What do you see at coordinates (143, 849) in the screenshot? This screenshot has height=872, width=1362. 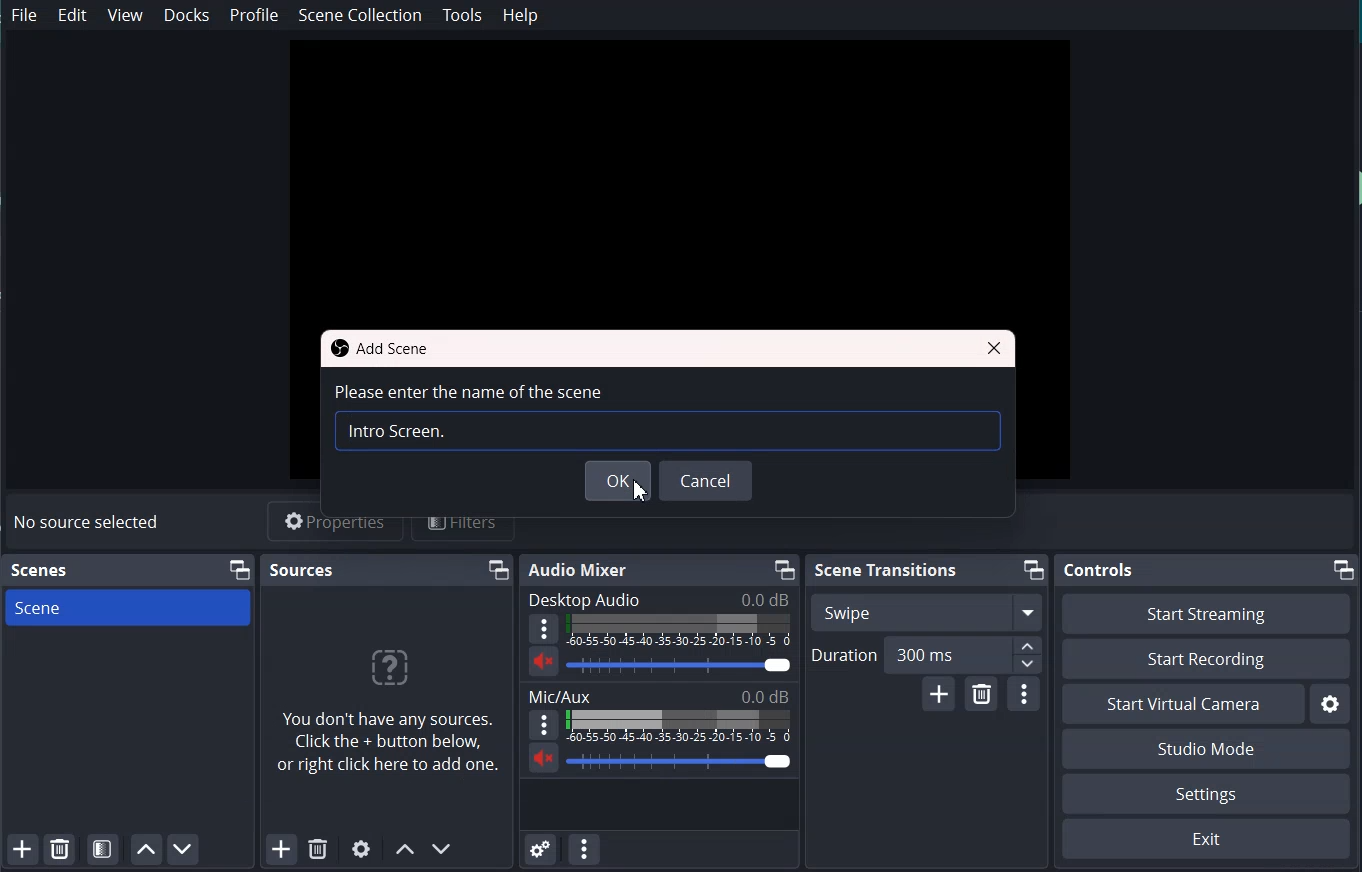 I see `Move Scene Up` at bounding box center [143, 849].